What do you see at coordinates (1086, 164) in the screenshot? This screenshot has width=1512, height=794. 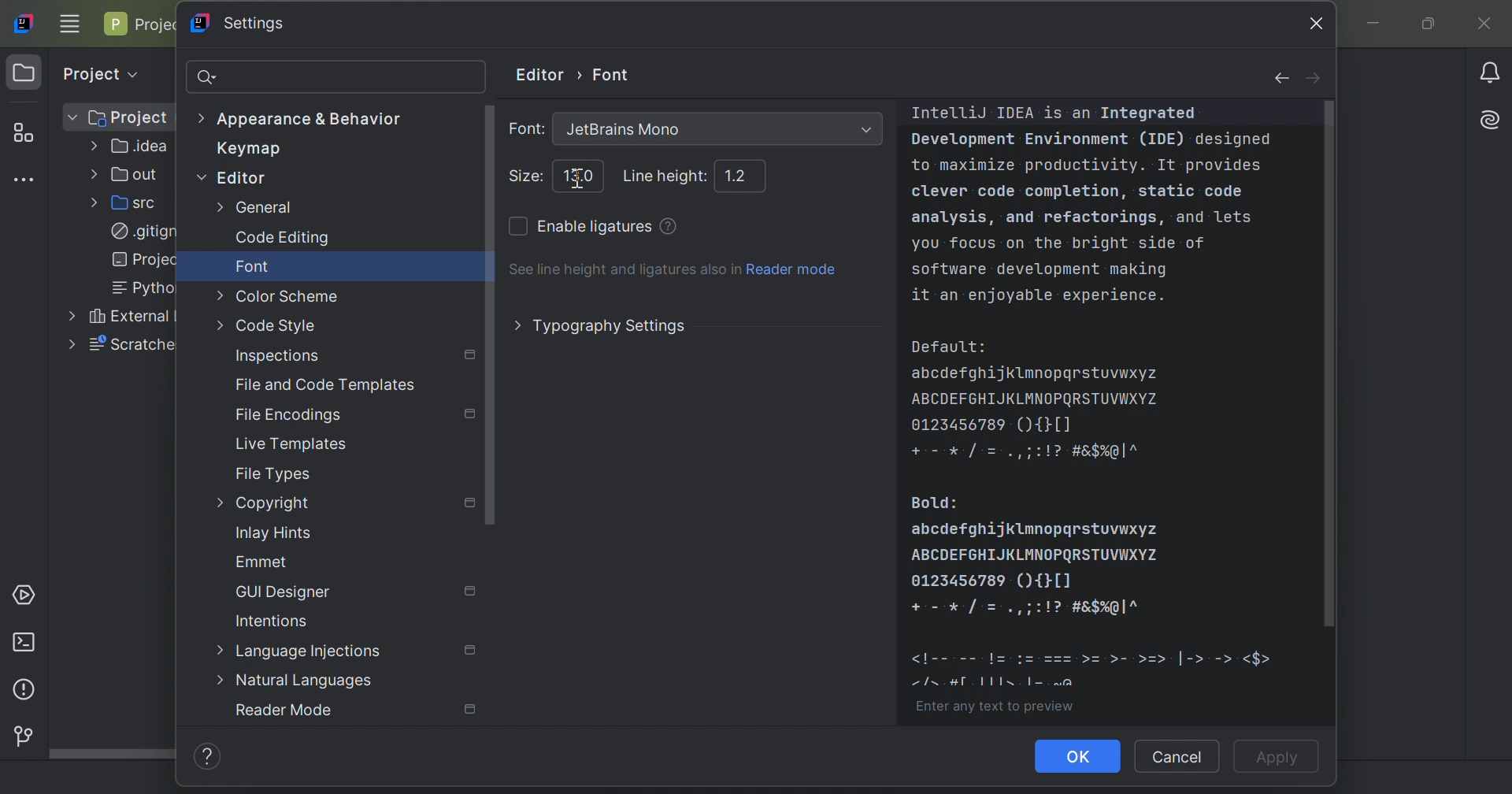 I see `to maximize productivity. It provides` at bounding box center [1086, 164].